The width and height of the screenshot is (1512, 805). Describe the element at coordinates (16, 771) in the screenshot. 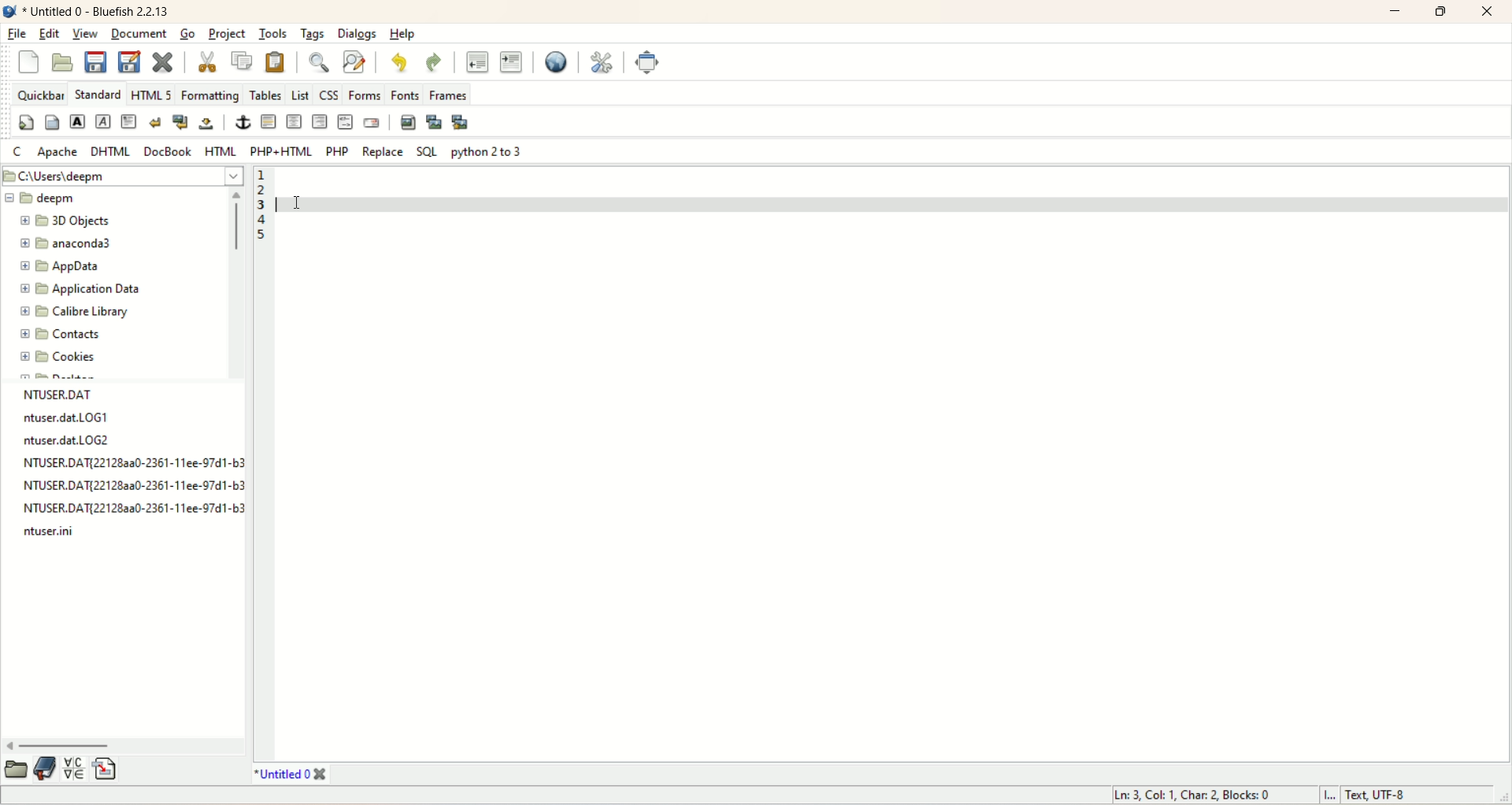

I see `open` at that location.